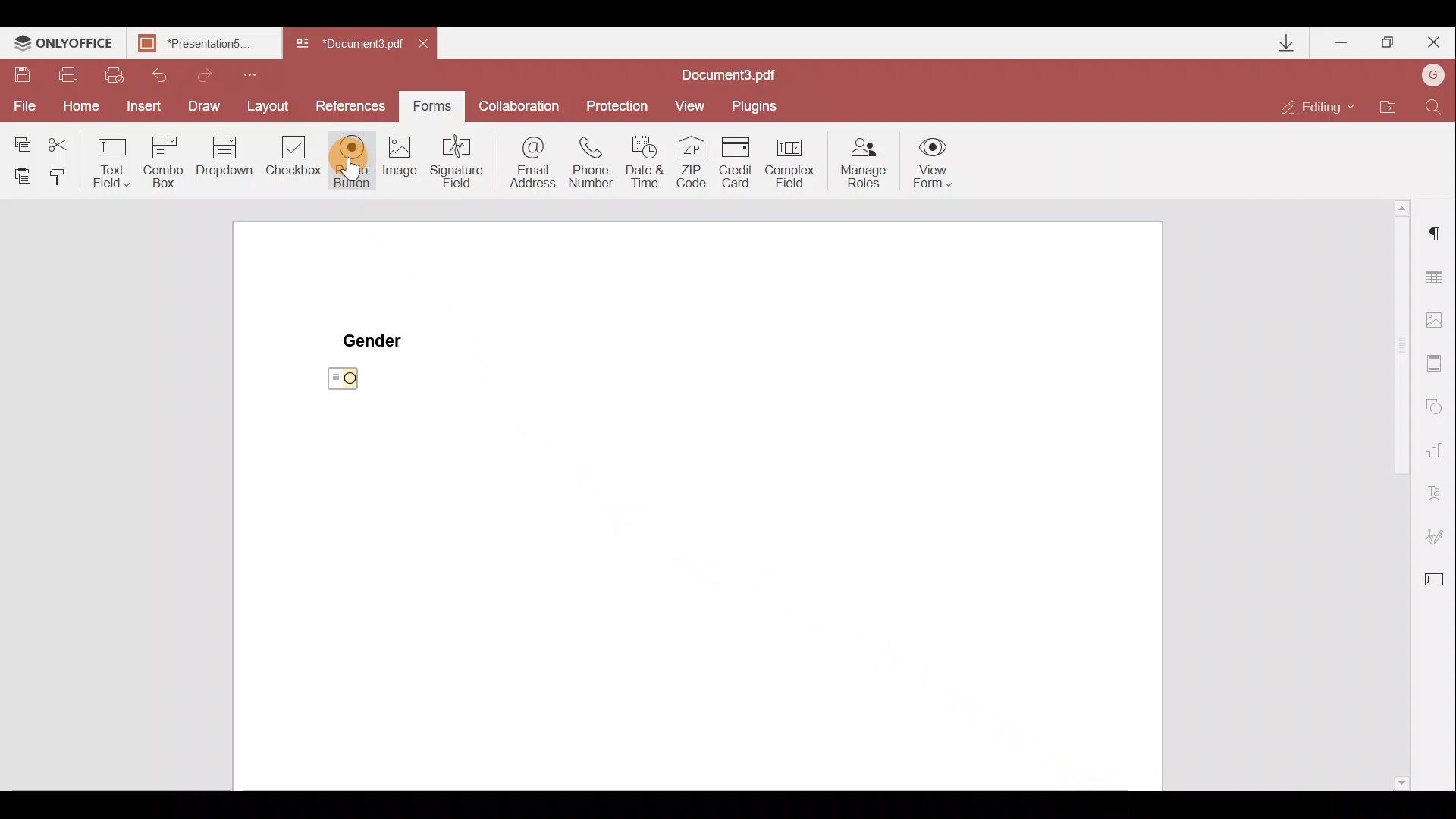  Describe the element at coordinates (167, 74) in the screenshot. I see `Undo` at that location.